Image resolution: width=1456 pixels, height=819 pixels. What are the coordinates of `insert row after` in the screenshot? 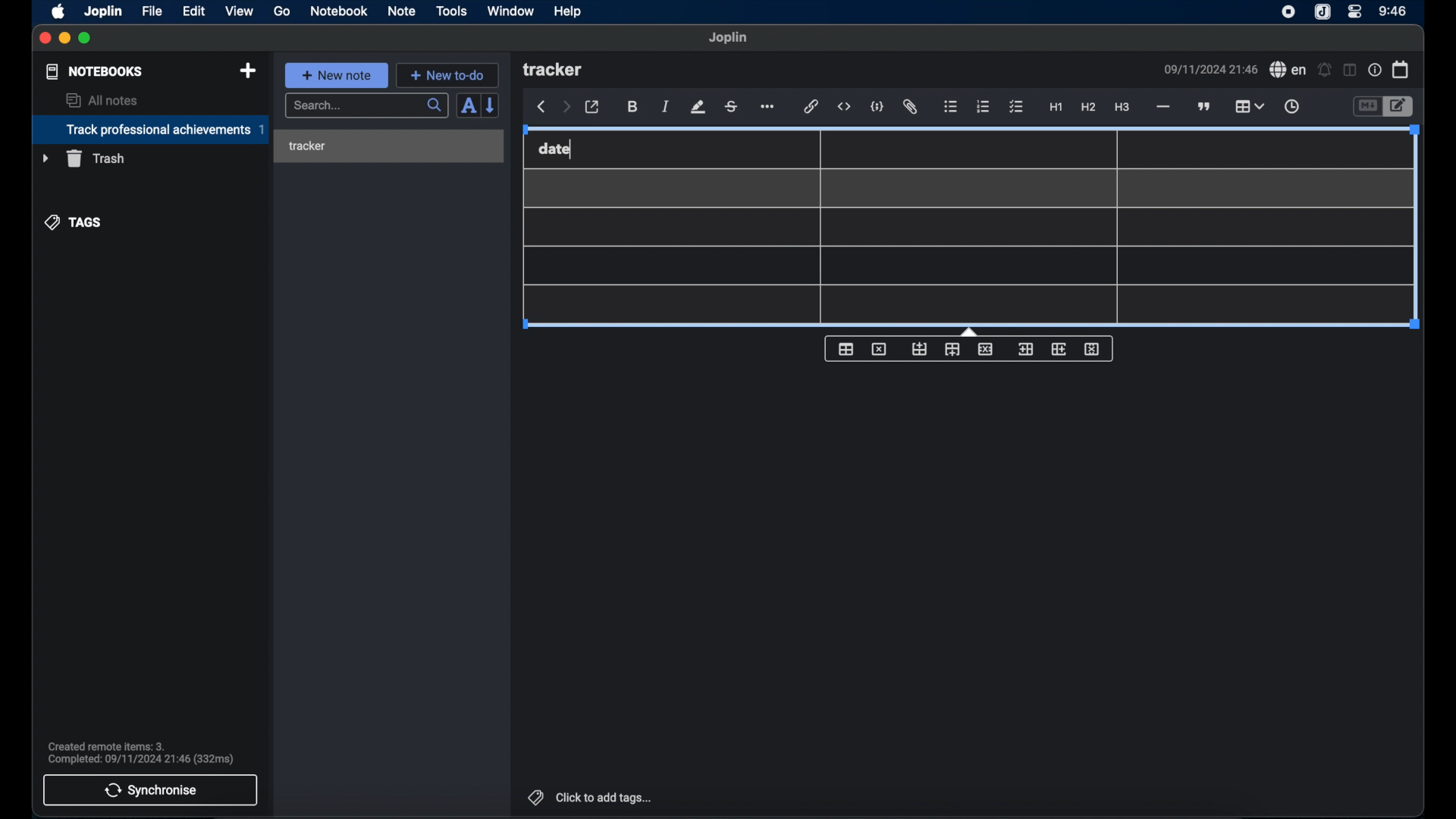 It's located at (952, 350).